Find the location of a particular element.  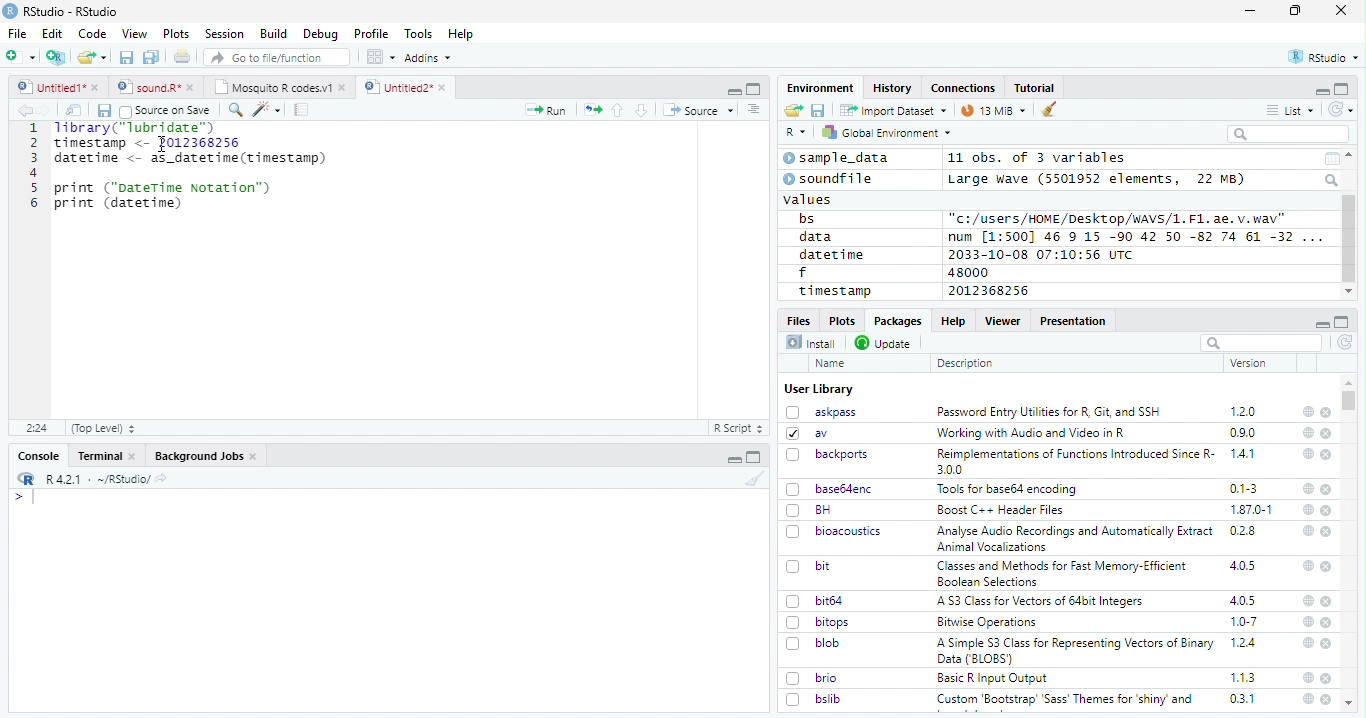

close is located at coordinates (1328, 510).